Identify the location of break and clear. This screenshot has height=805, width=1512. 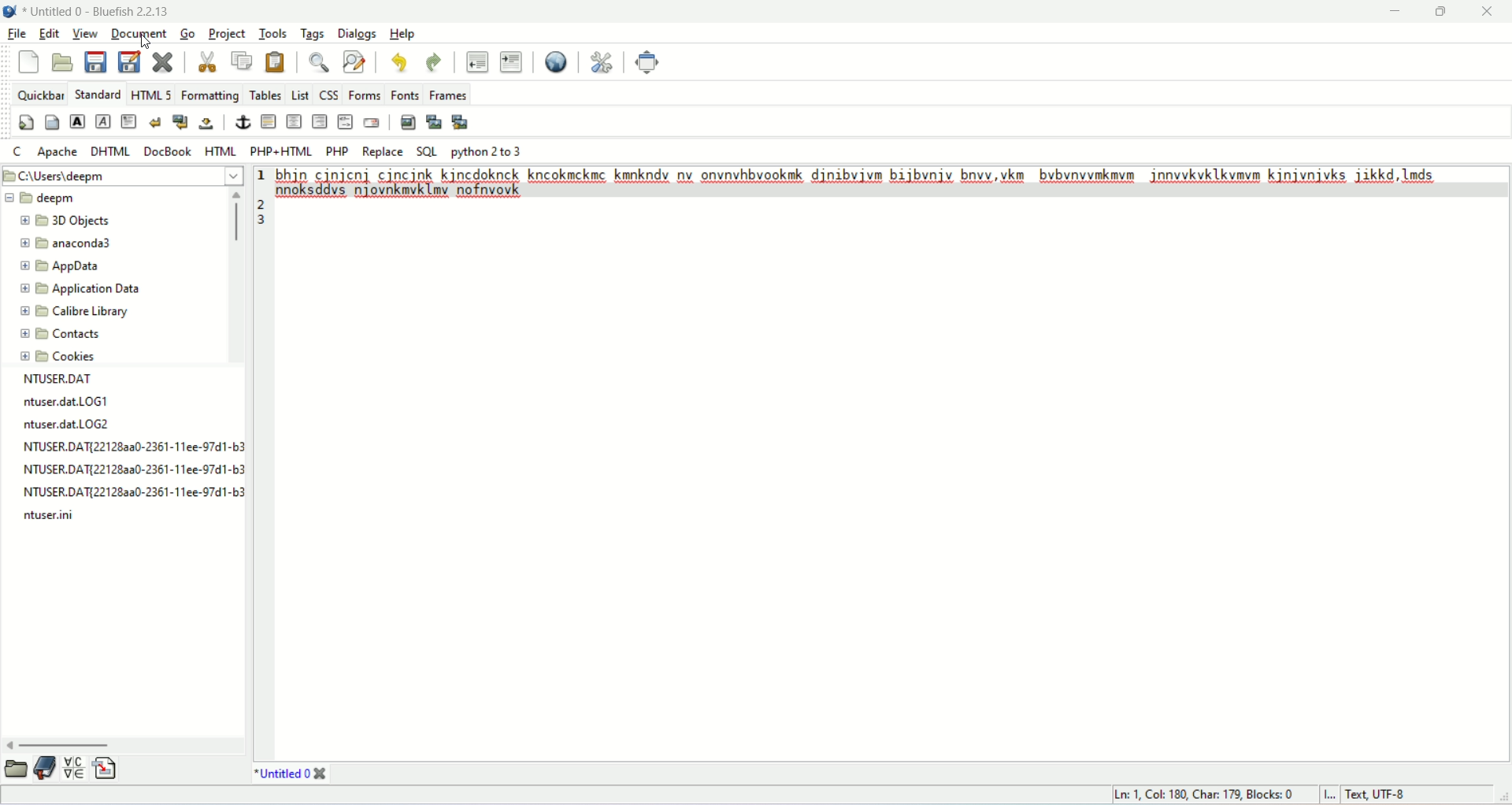
(181, 122).